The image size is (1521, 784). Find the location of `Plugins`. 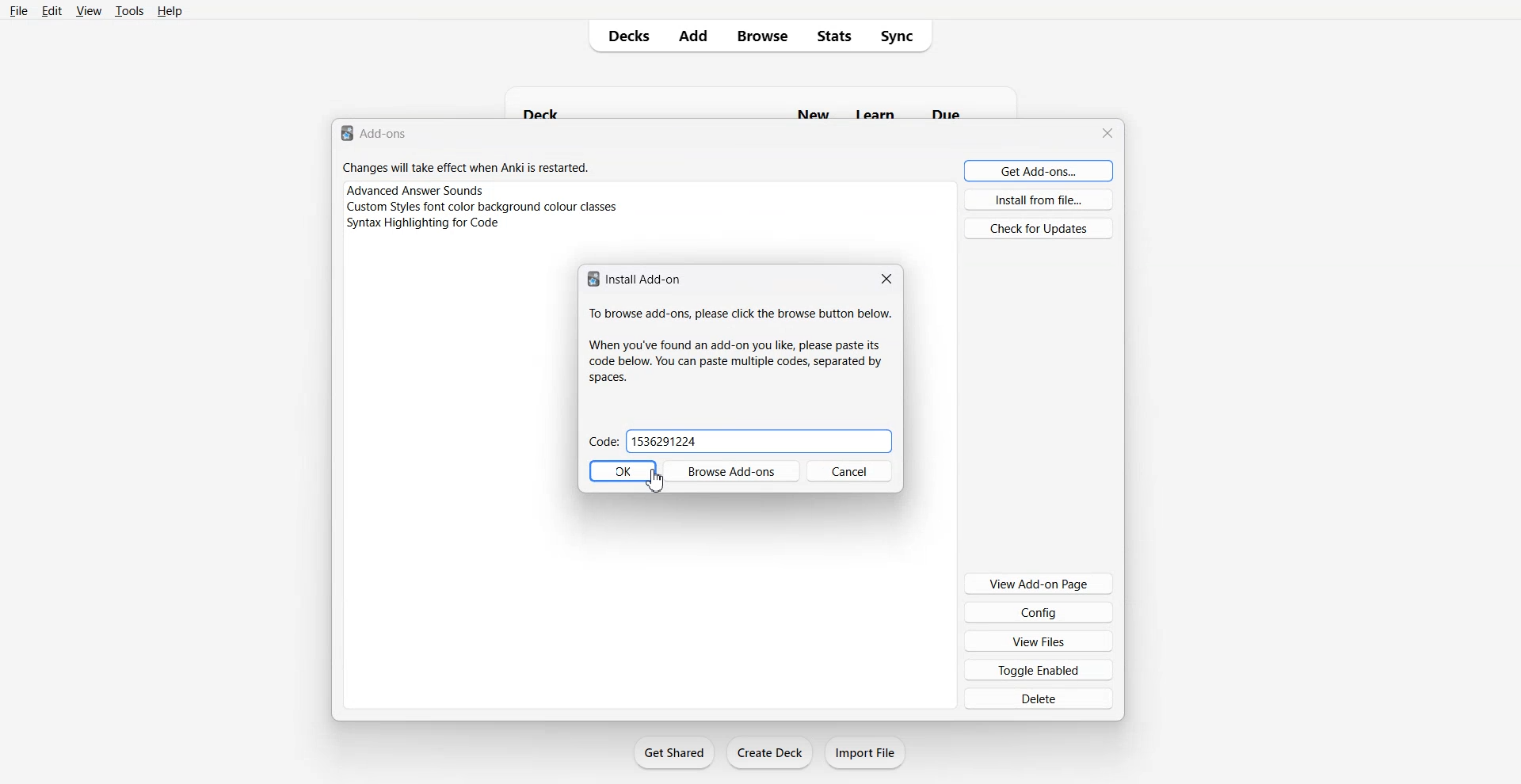

Plugins is located at coordinates (650, 207).